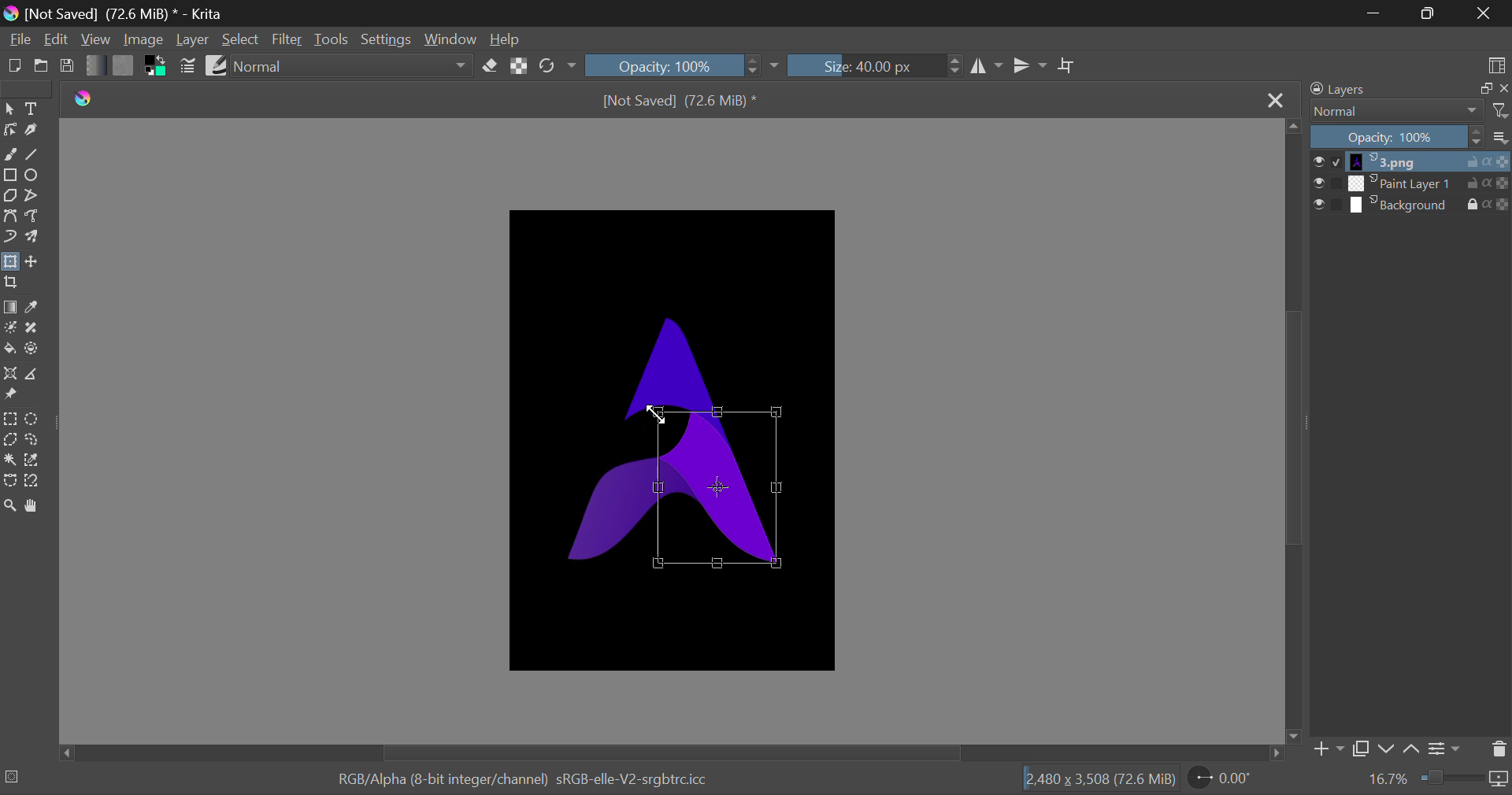 The width and height of the screenshot is (1512, 795). Describe the element at coordinates (1031, 65) in the screenshot. I see `Horizontal Mirror Flip` at that location.